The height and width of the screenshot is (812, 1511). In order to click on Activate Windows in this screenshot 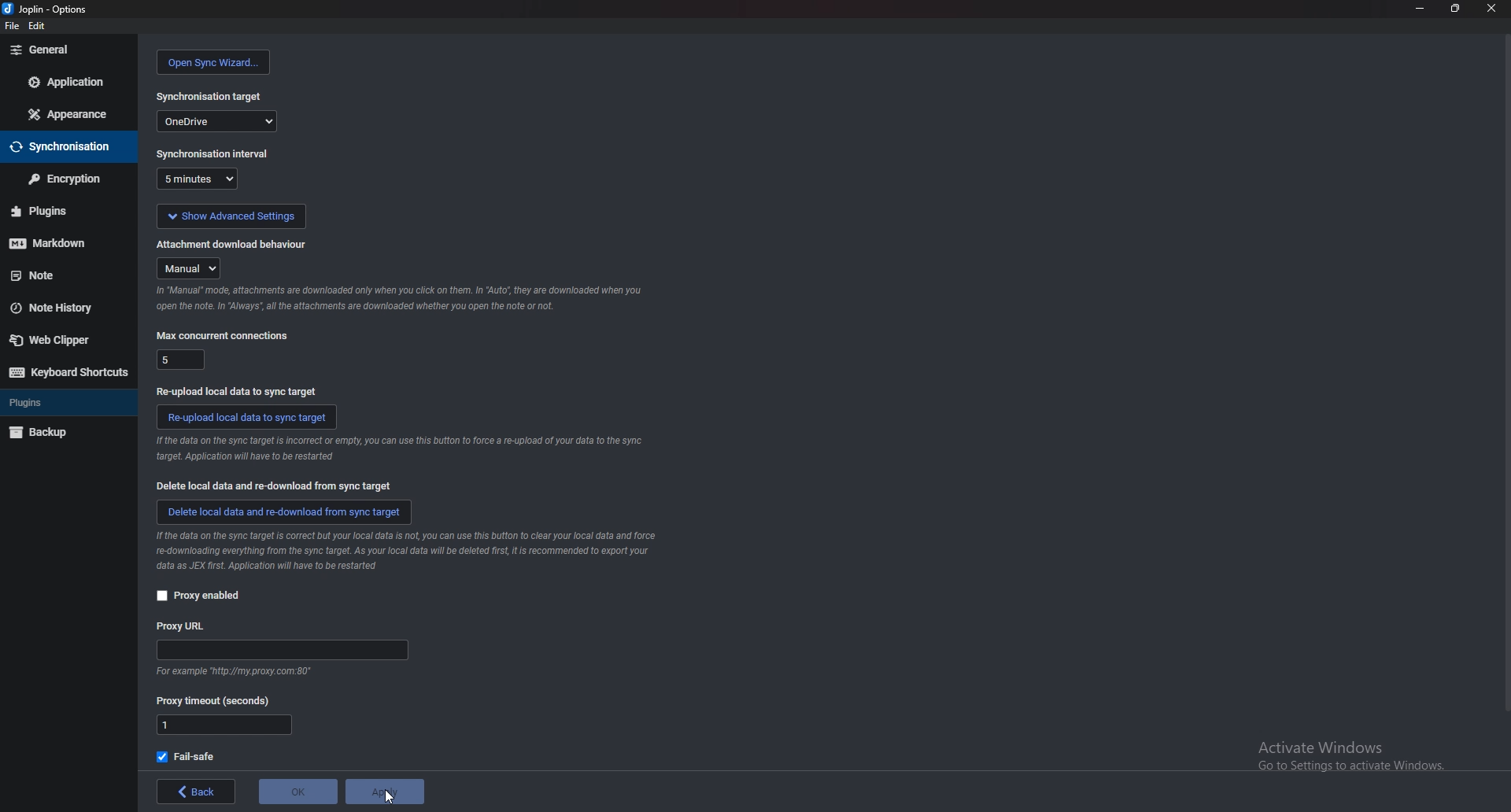, I will do `click(1344, 756)`.